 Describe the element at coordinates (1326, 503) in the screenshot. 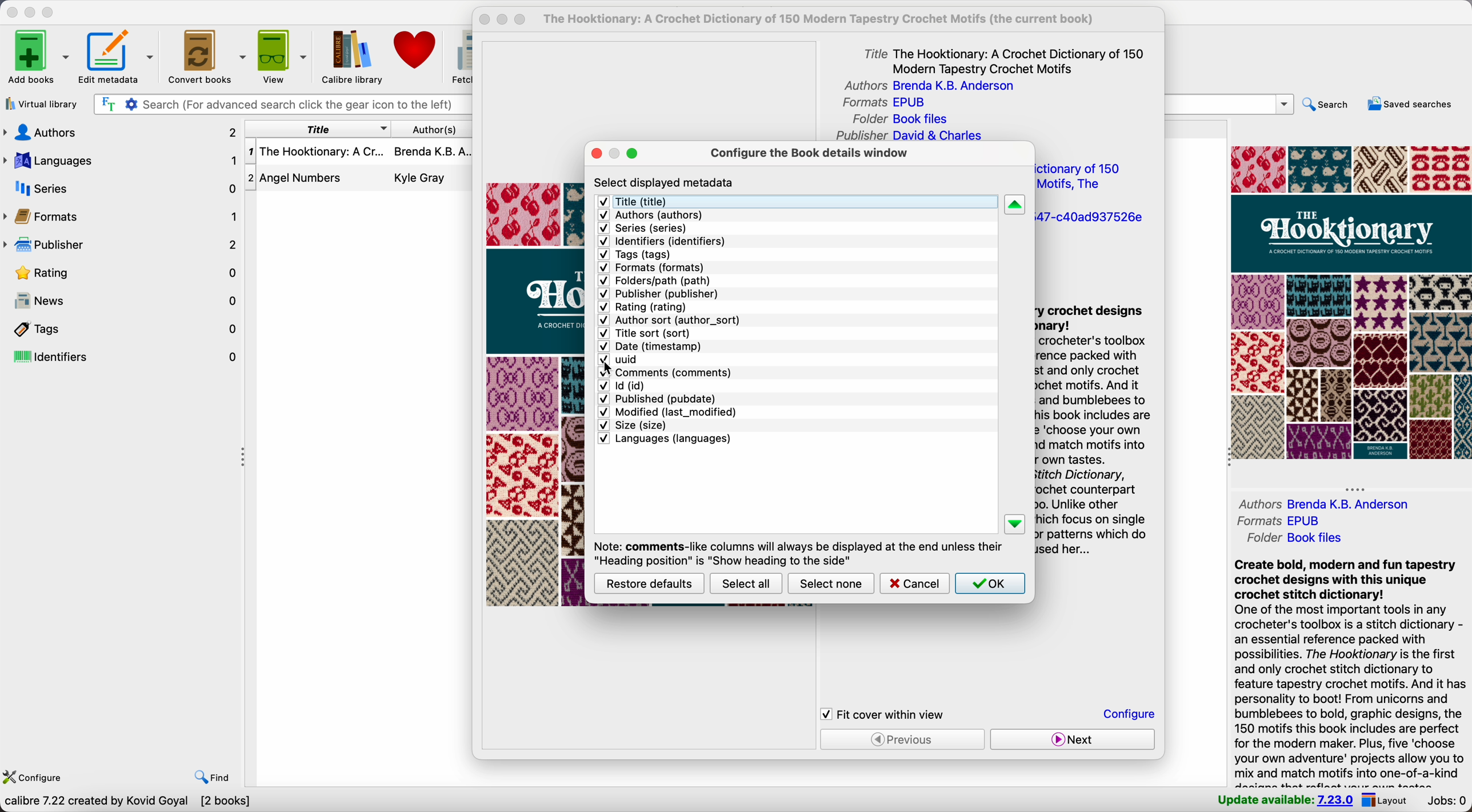

I see `author` at that location.